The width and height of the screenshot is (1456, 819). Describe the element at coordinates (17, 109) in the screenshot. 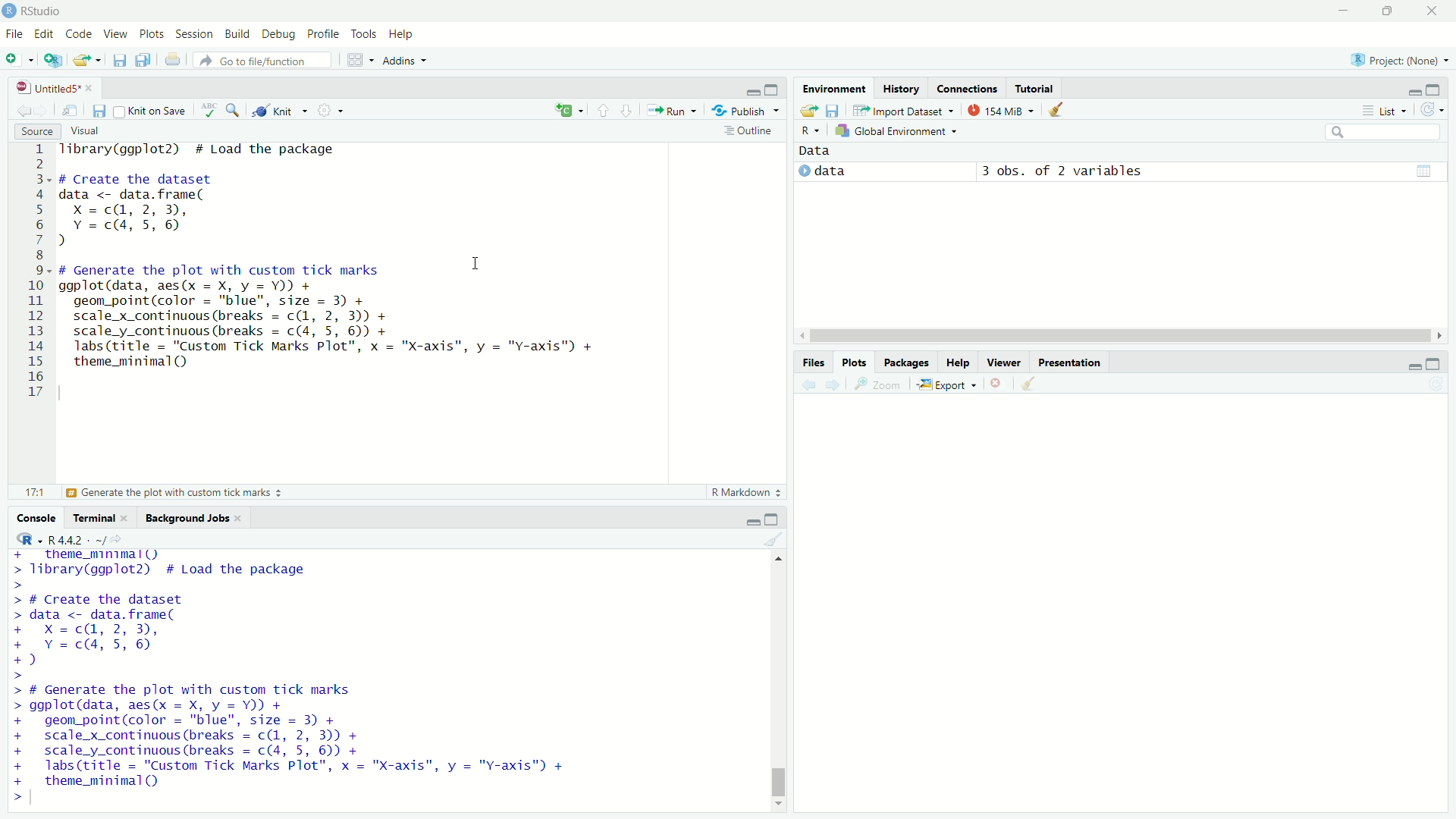

I see `go back to the previous source location` at that location.